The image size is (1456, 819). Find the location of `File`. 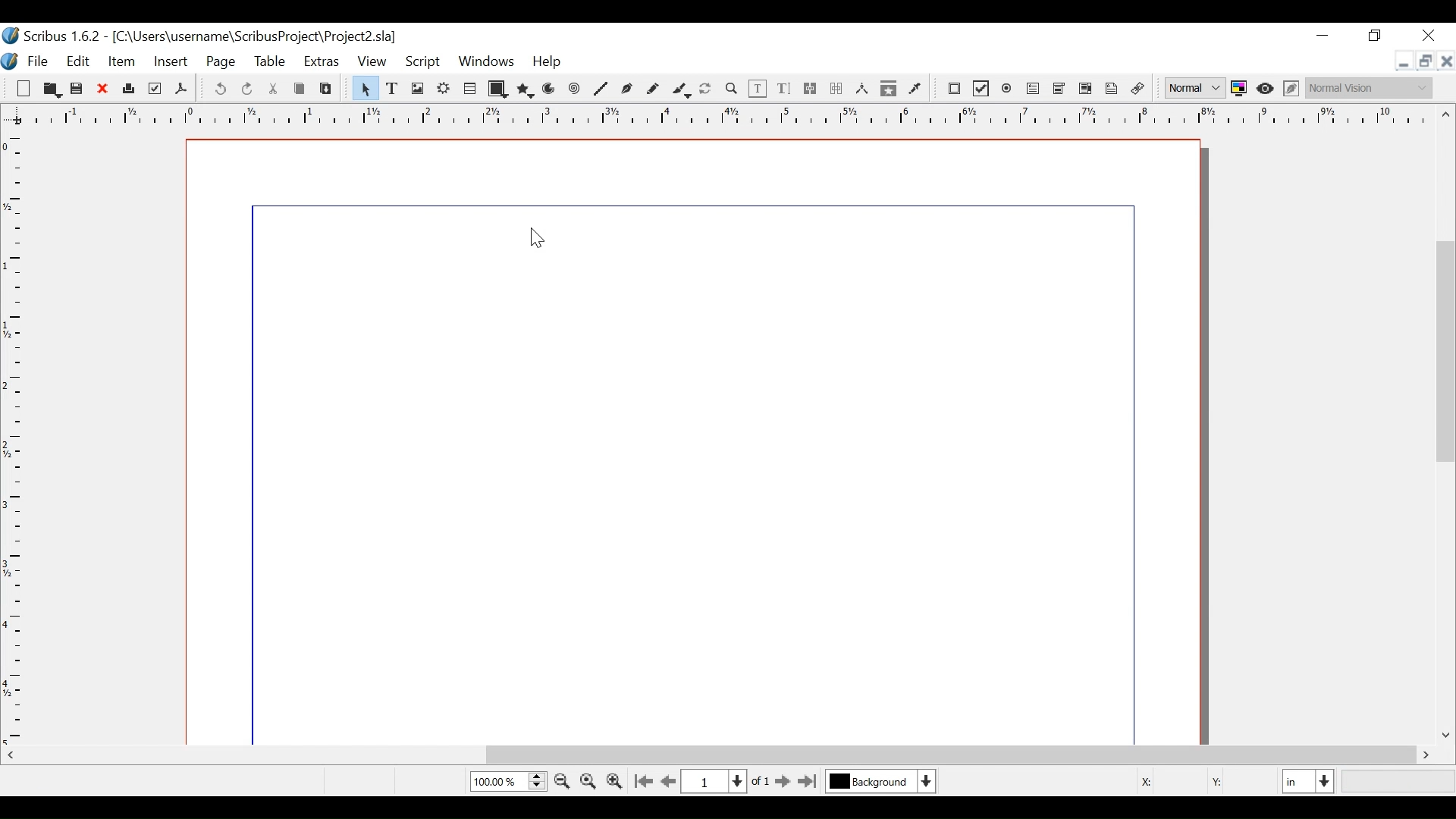

File is located at coordinates (692, 439).